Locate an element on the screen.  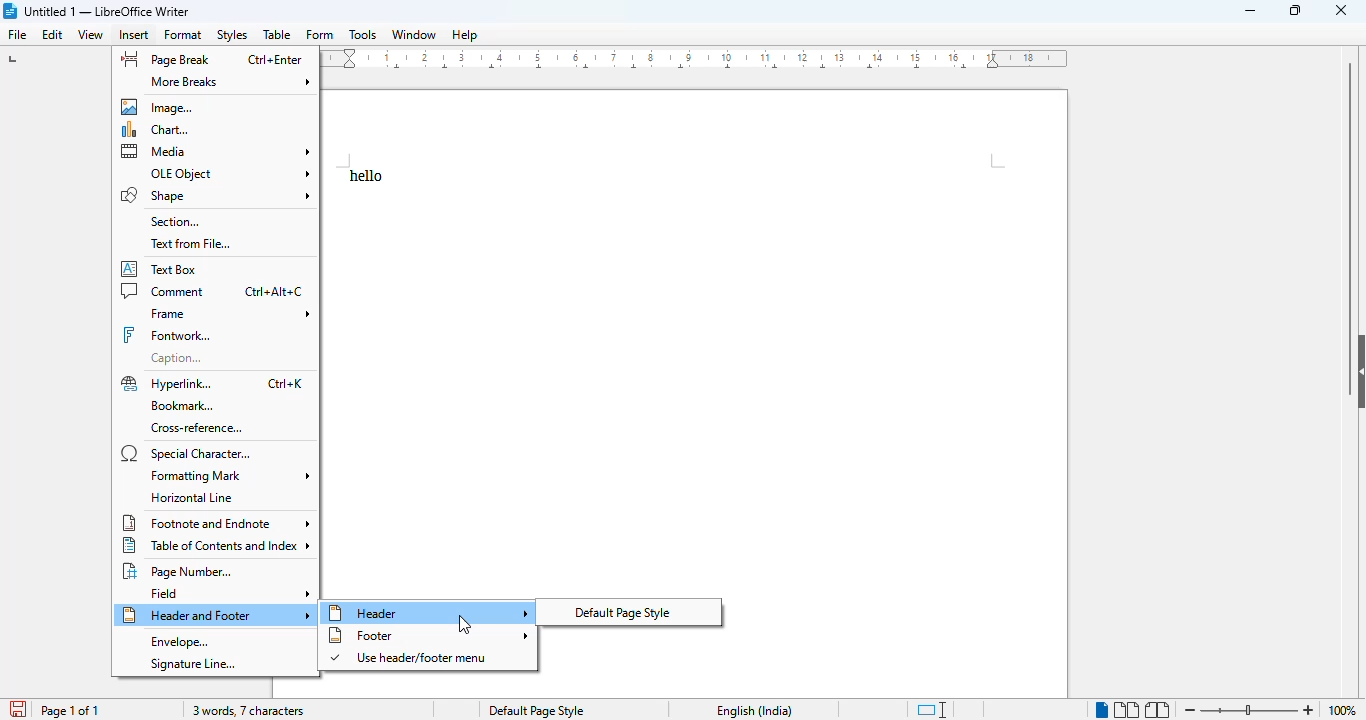
cursor is located at coordinates (465, 625).